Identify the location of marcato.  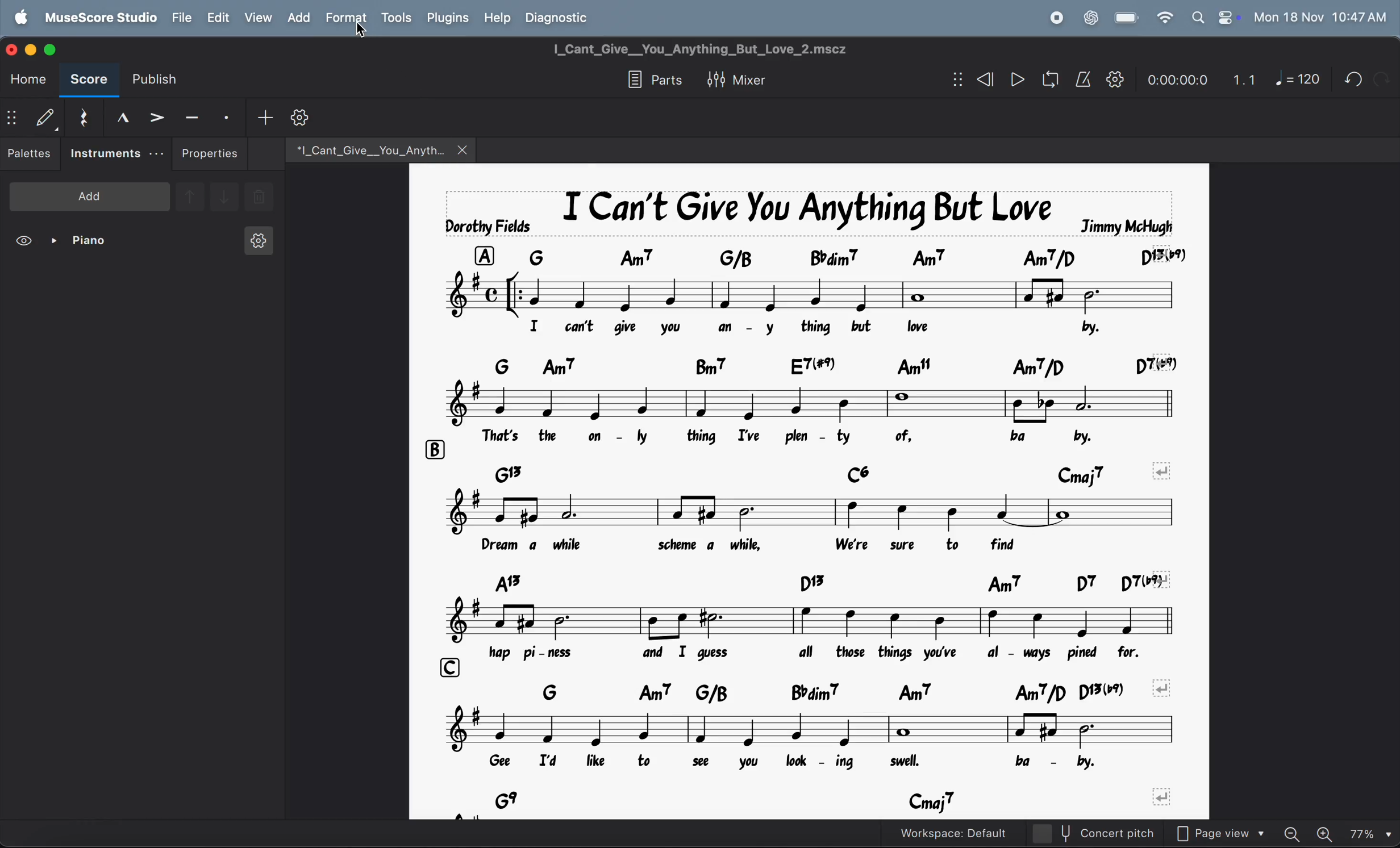
(118, 117).